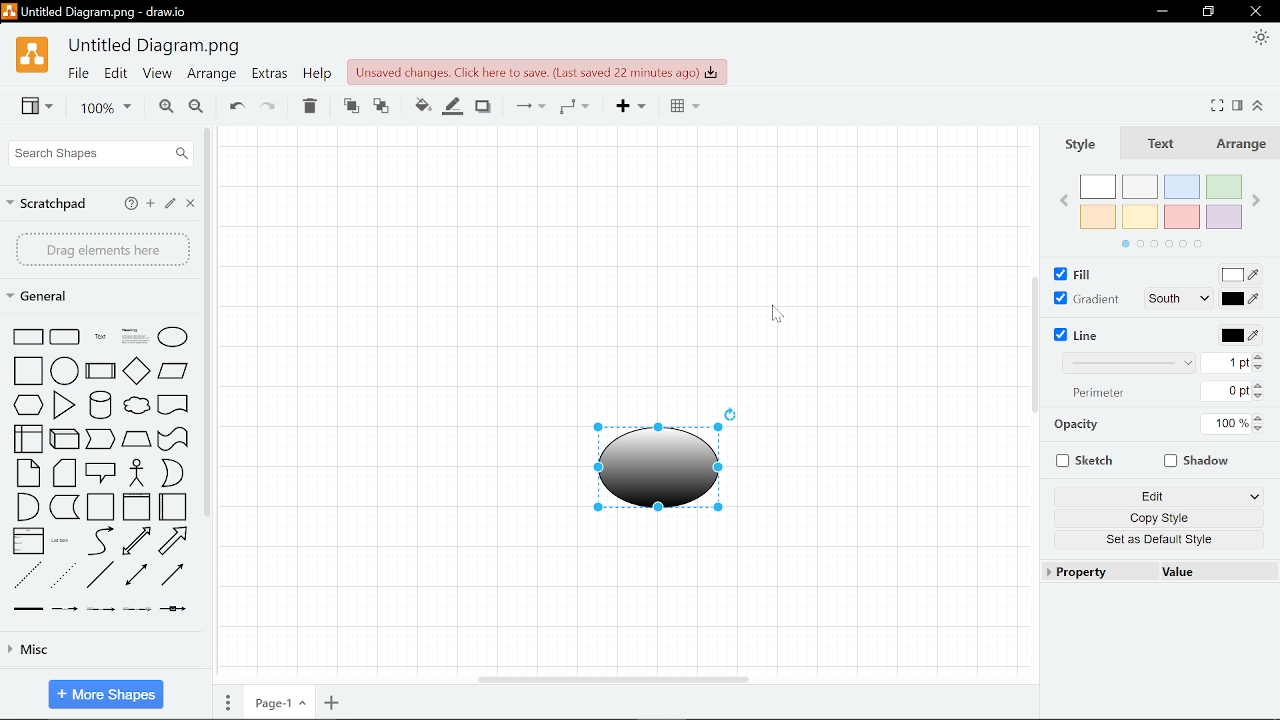  Describe the element at coordinates (1260, 107) in the screenshot. I see `Collapse` at that location.